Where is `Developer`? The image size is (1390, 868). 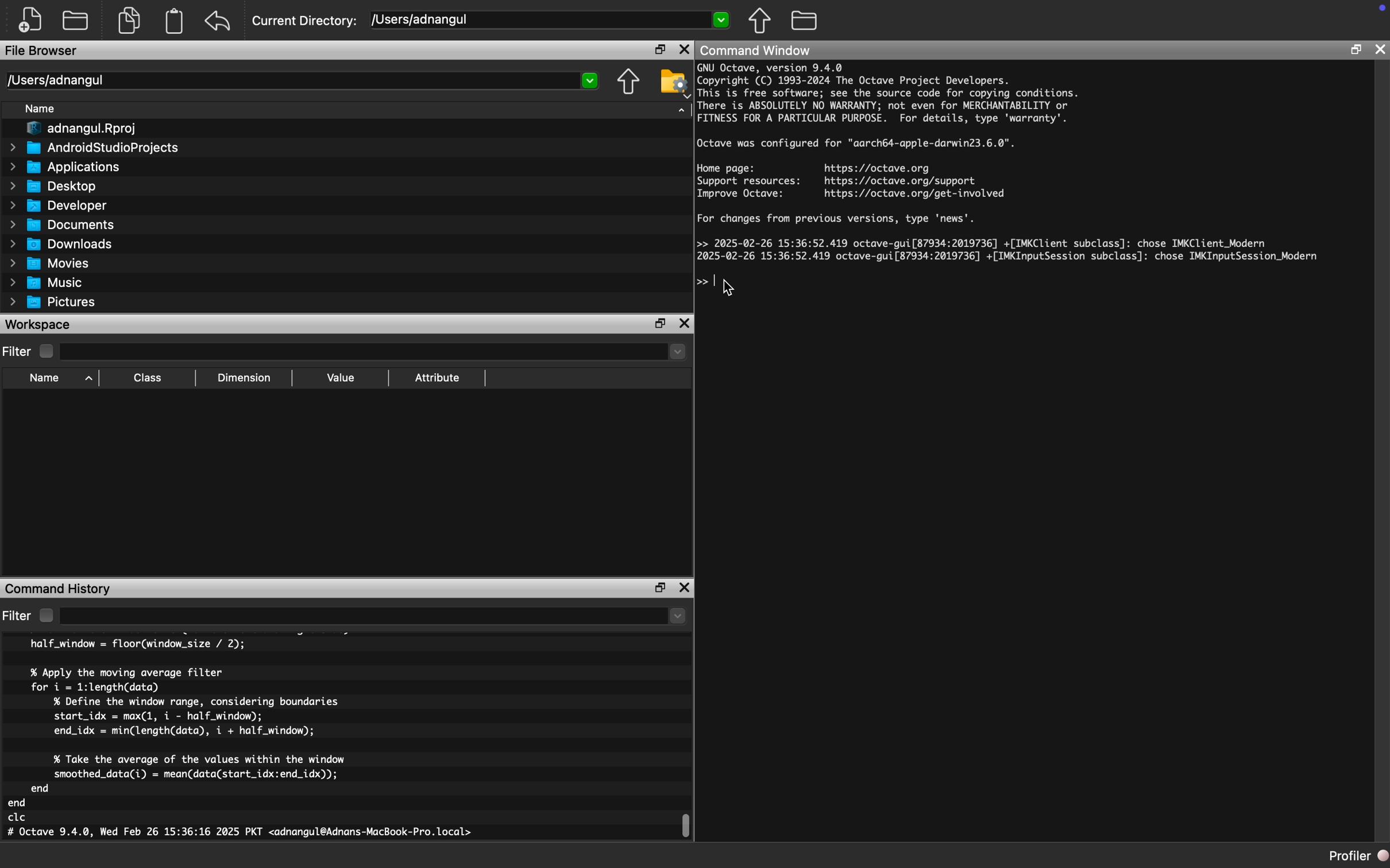
Developer is located at coordinates (57, 206).